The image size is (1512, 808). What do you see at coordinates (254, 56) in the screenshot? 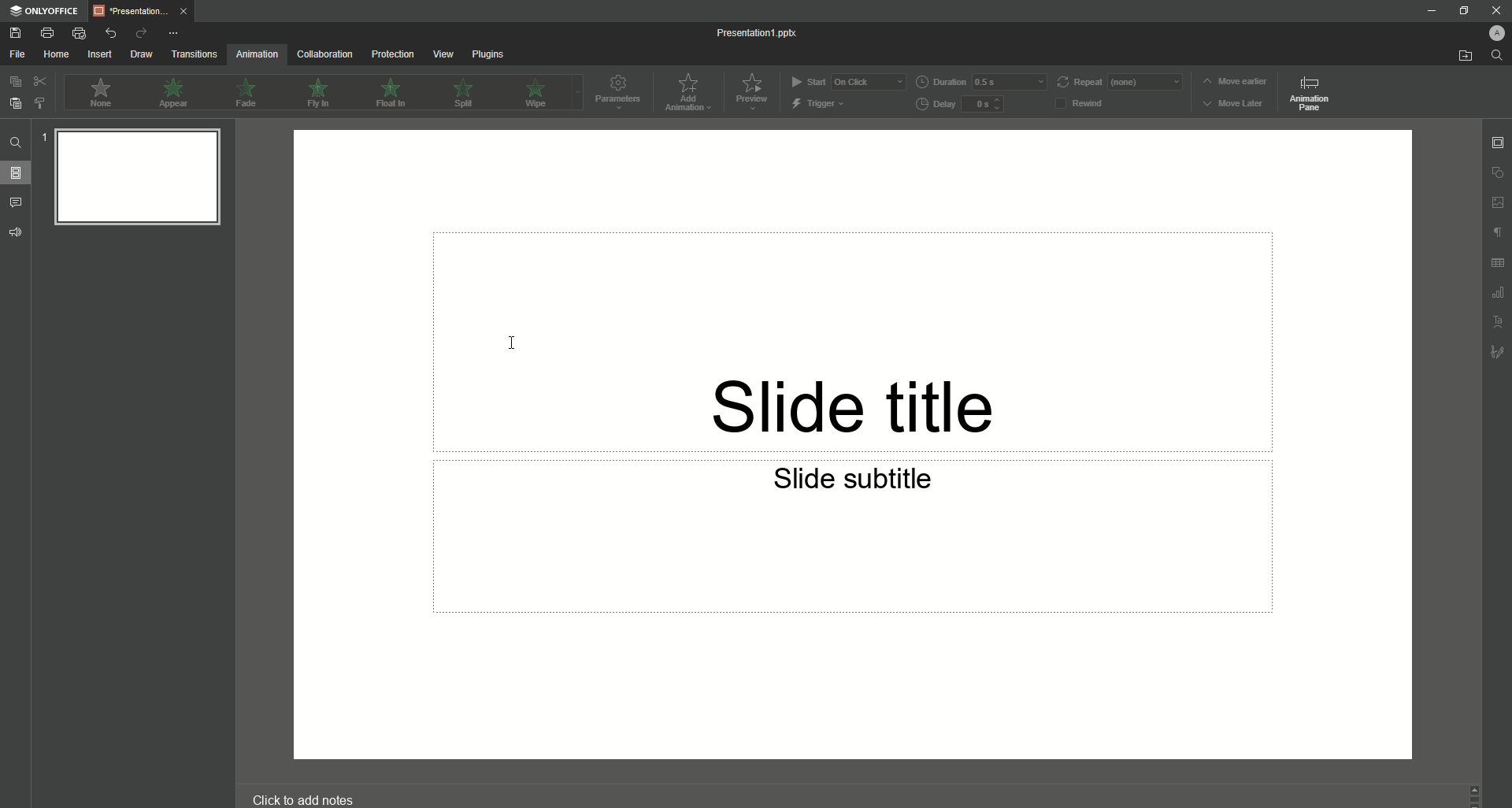
I see `Animation` at bounding box center [254, 56].